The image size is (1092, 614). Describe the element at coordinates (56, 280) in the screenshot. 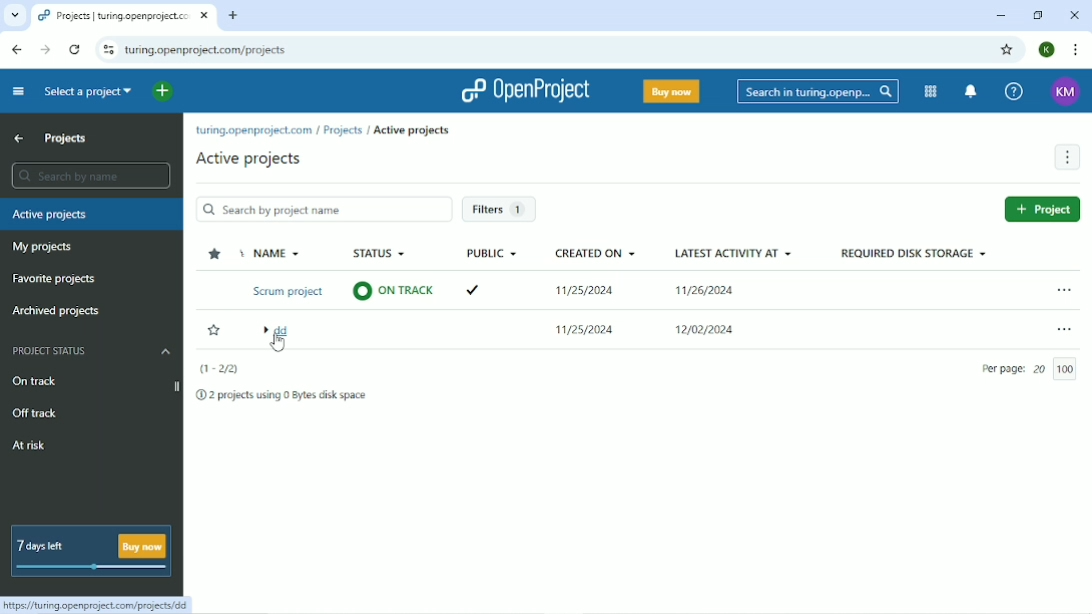

I see `Favorite projects` at that location.